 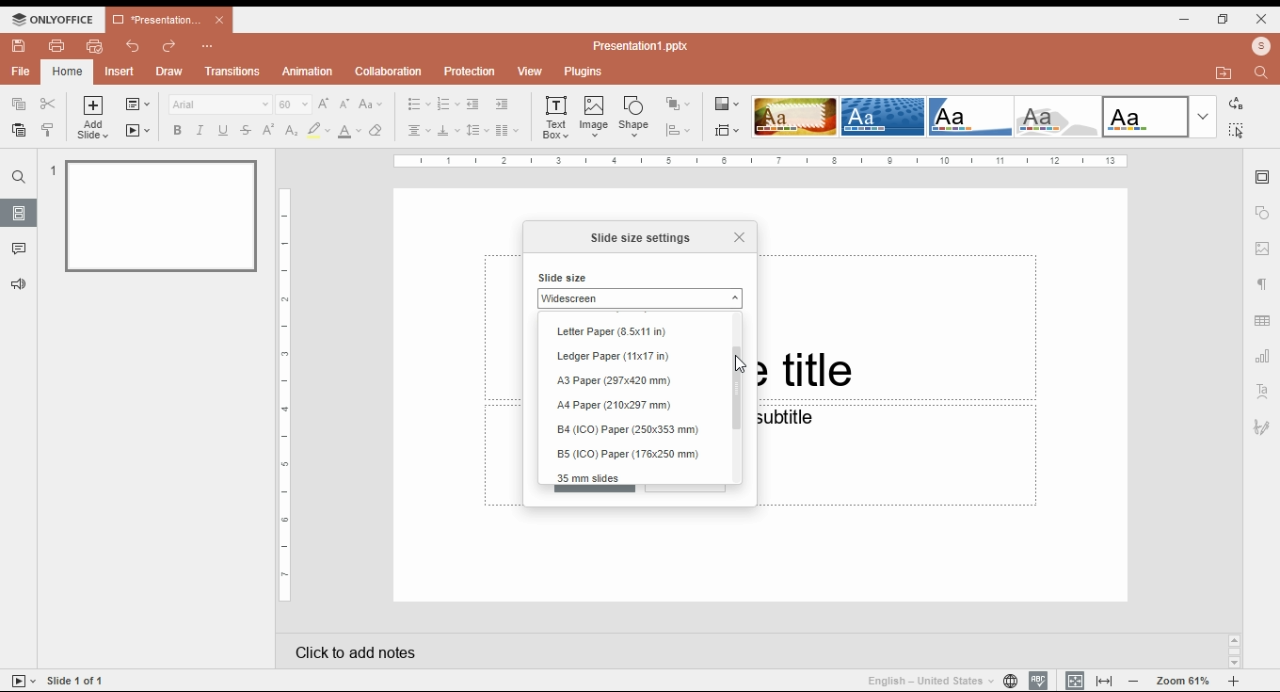 What do you see at coordinates (1264, 178) in the screenshot?
I see `slide settings` at bounding box center [1264, 178].